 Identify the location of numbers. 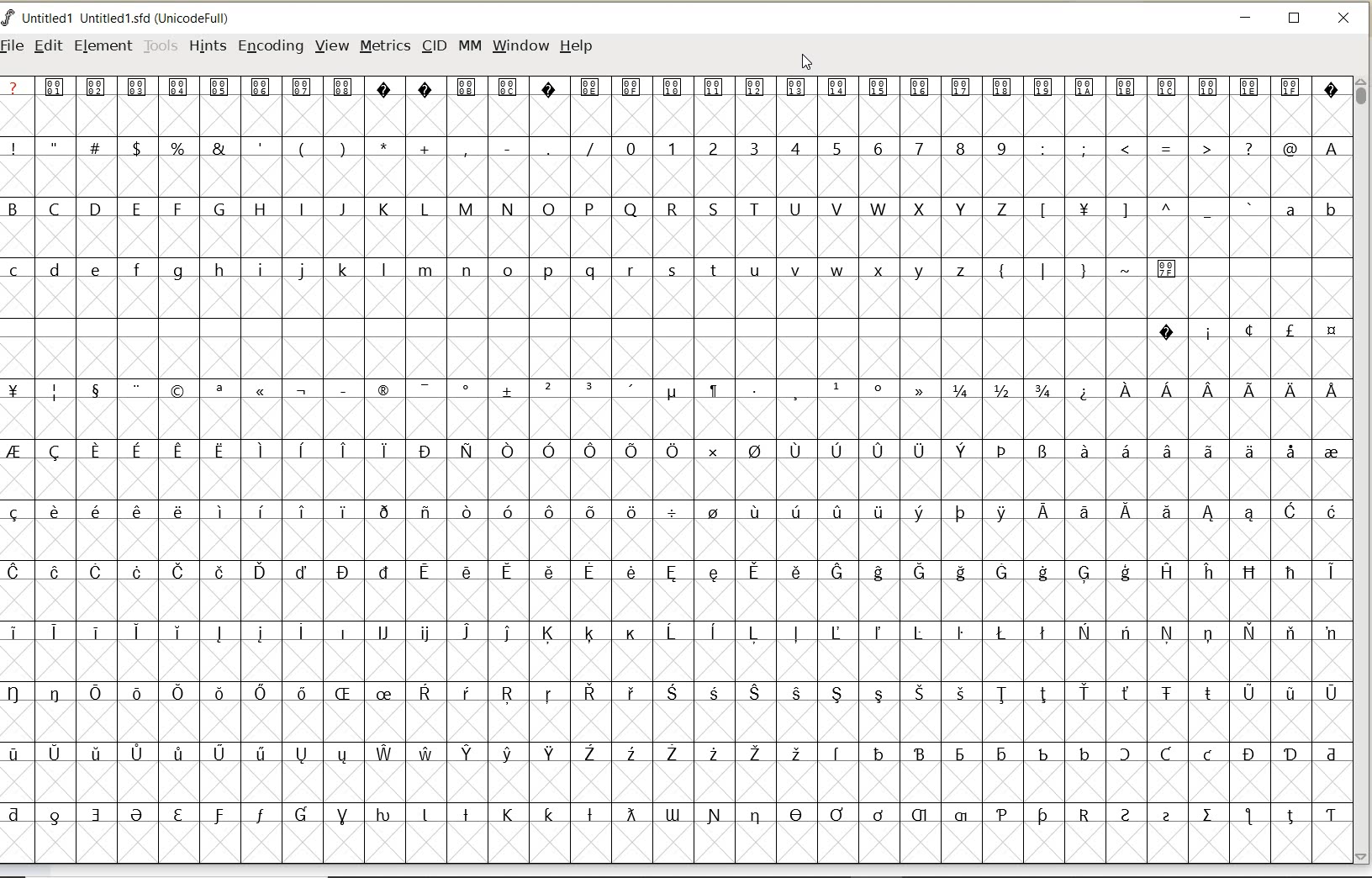
(812, 147).